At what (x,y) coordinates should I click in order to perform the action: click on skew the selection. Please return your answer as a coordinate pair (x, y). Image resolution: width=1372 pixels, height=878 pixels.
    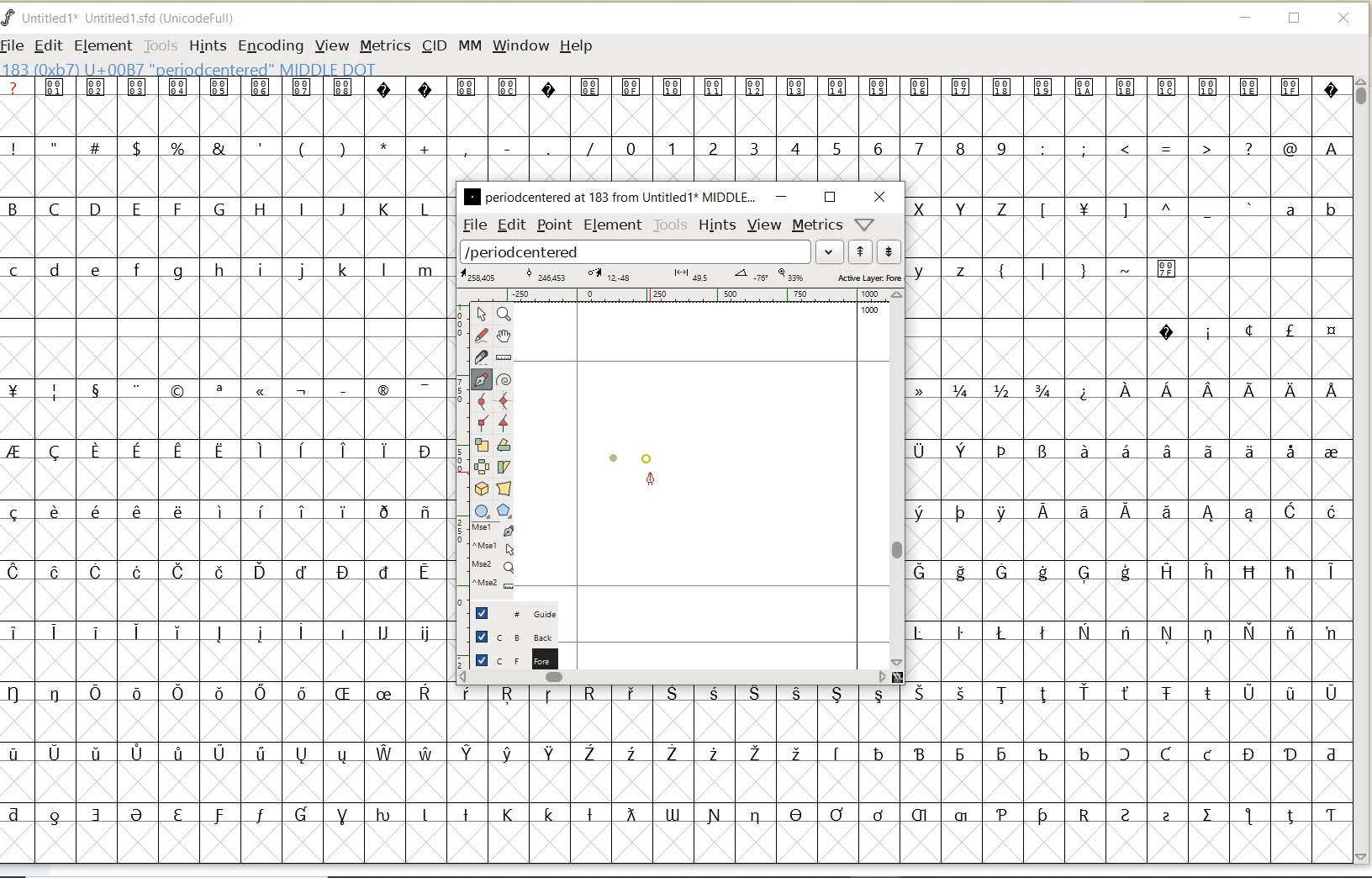
    Looking at the image, I should click on (504, 465).